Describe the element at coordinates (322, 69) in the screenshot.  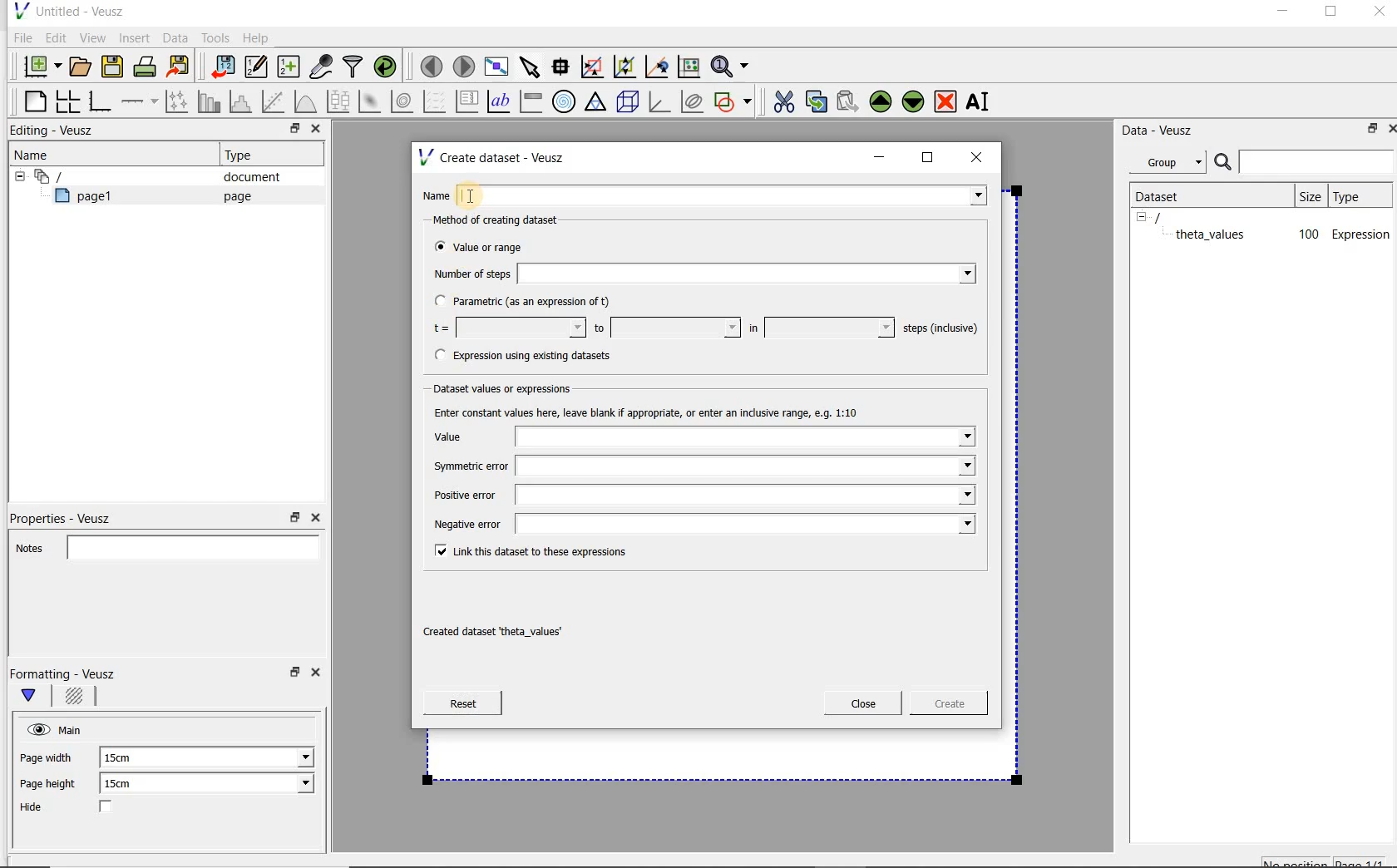
I see `capture remote data` at that location.